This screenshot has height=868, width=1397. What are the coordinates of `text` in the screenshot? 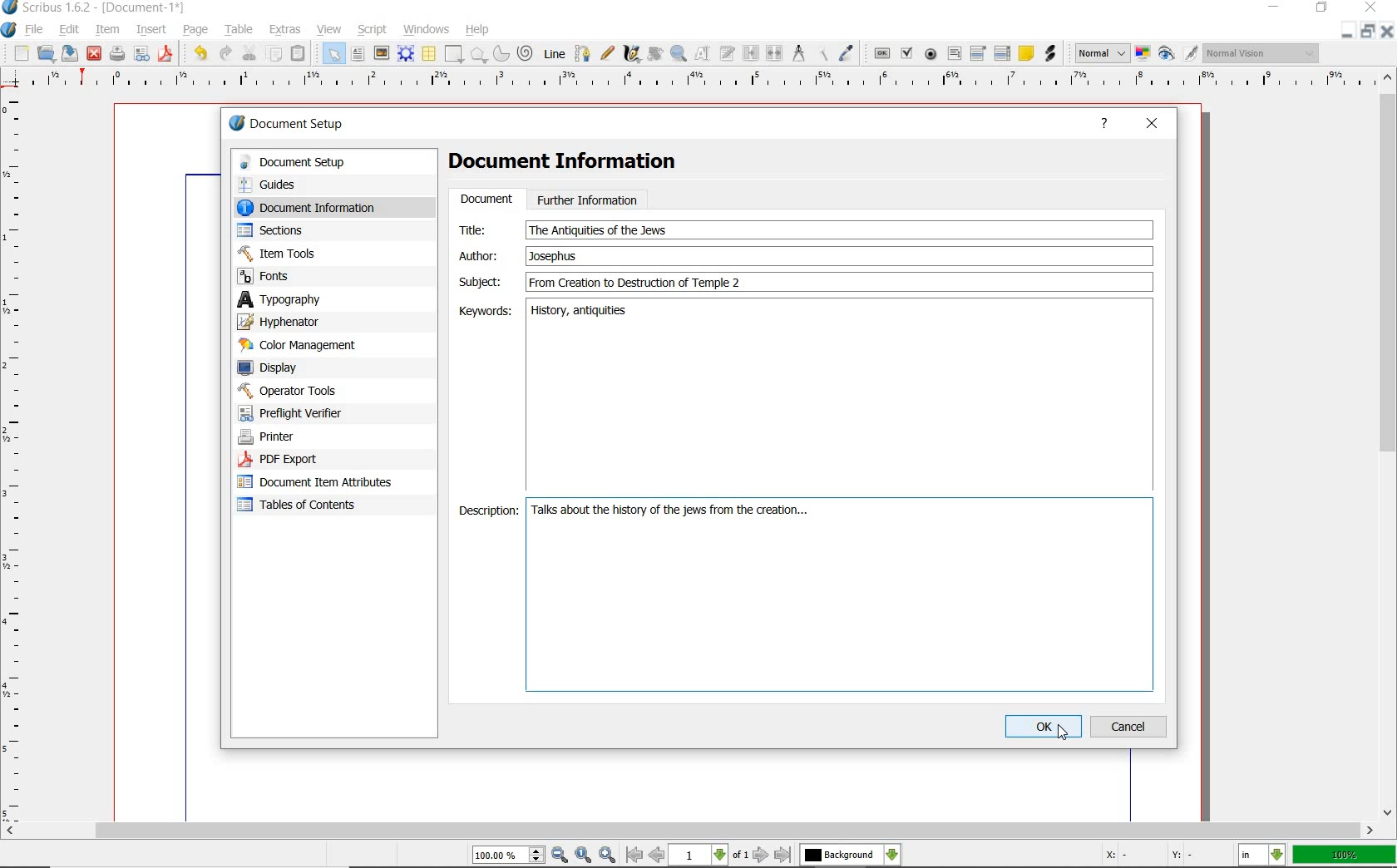 It's located at (598, 230).